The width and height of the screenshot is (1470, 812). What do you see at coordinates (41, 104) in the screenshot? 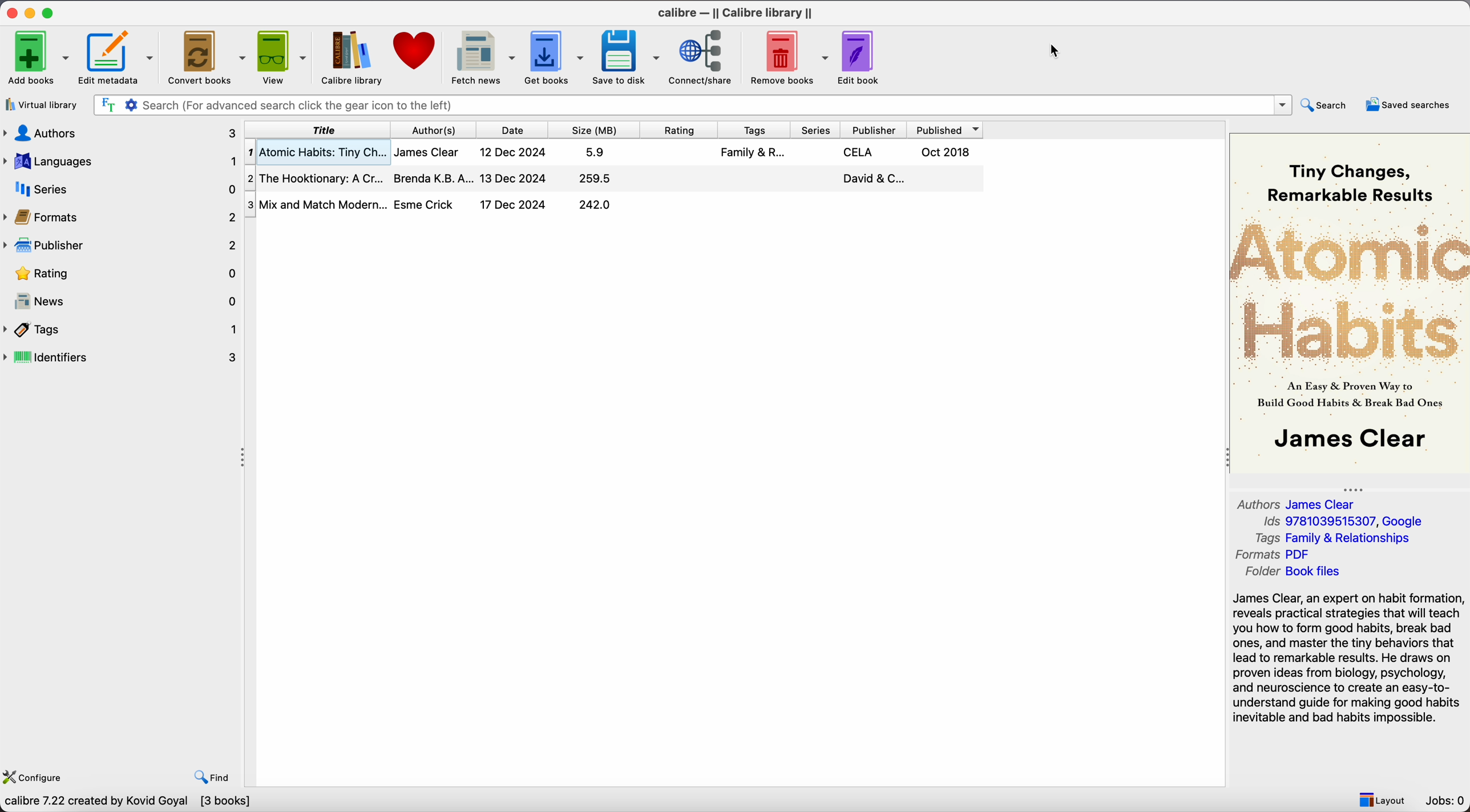
I see `virtual library` at bounding box center [41, 104].